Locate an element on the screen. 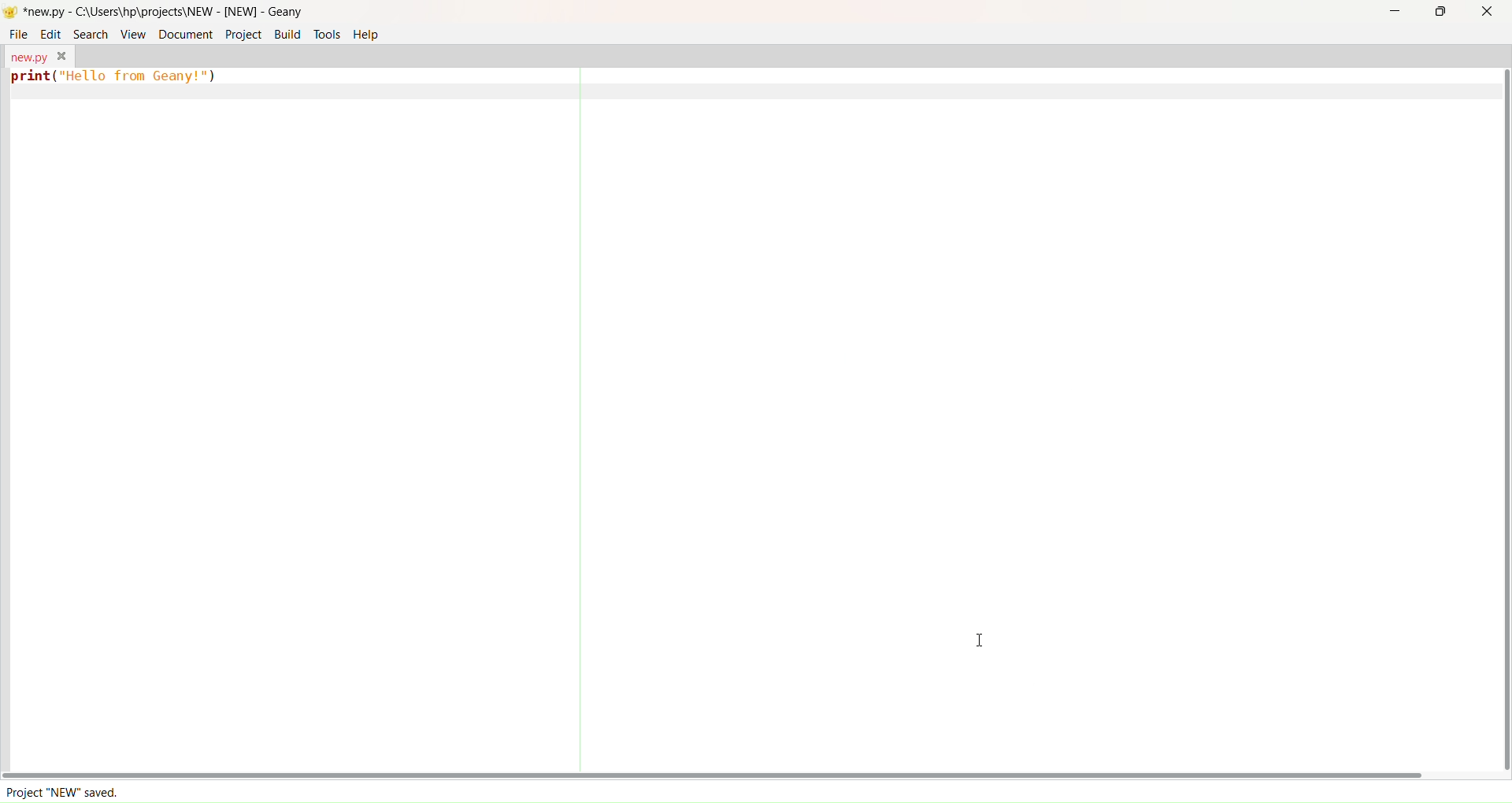 The image size is (1512, 803). tab name is located at coordinates (27, 55).